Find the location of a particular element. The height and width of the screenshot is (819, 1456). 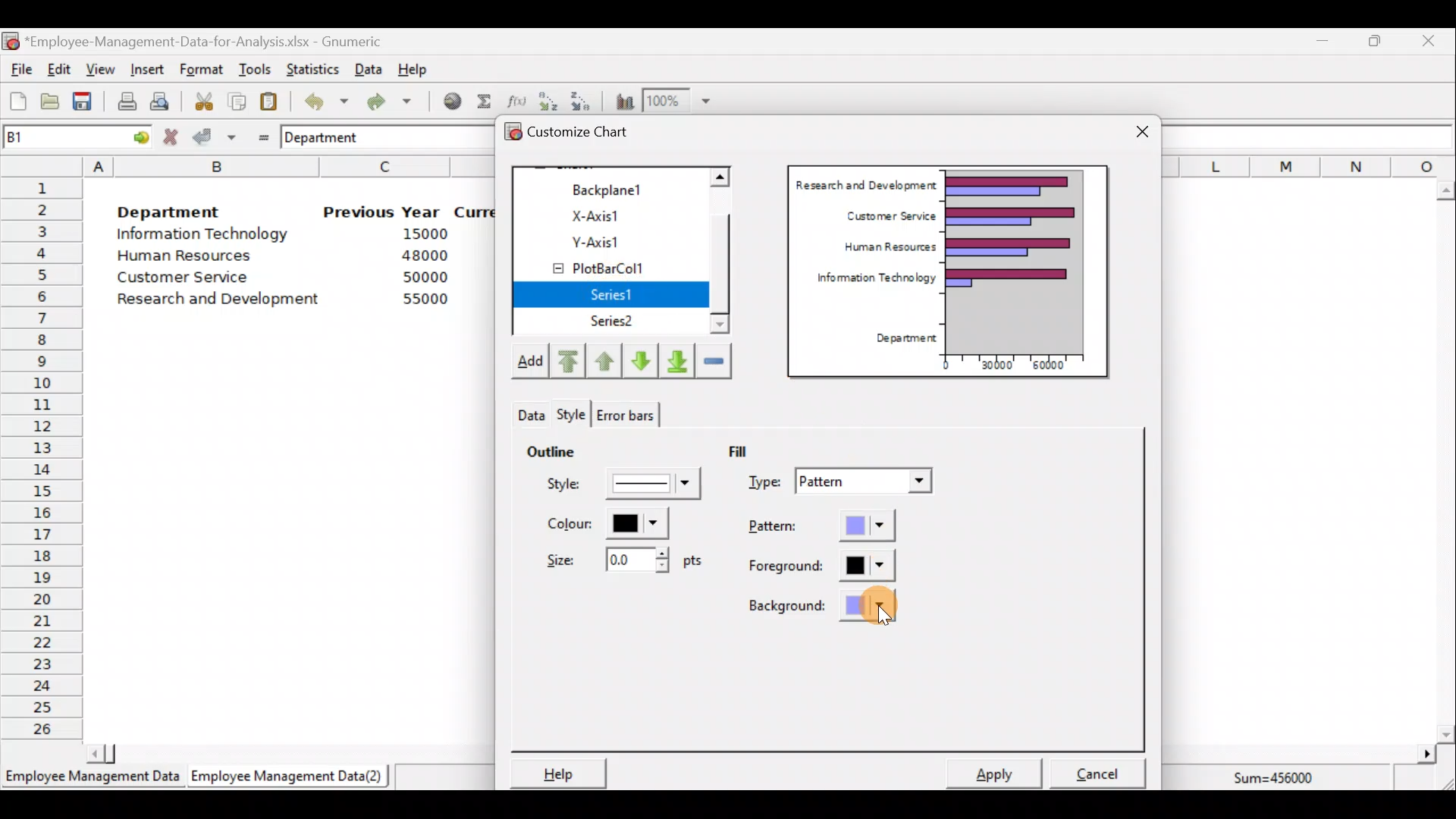

50000 is located at coordinates (429, 277).